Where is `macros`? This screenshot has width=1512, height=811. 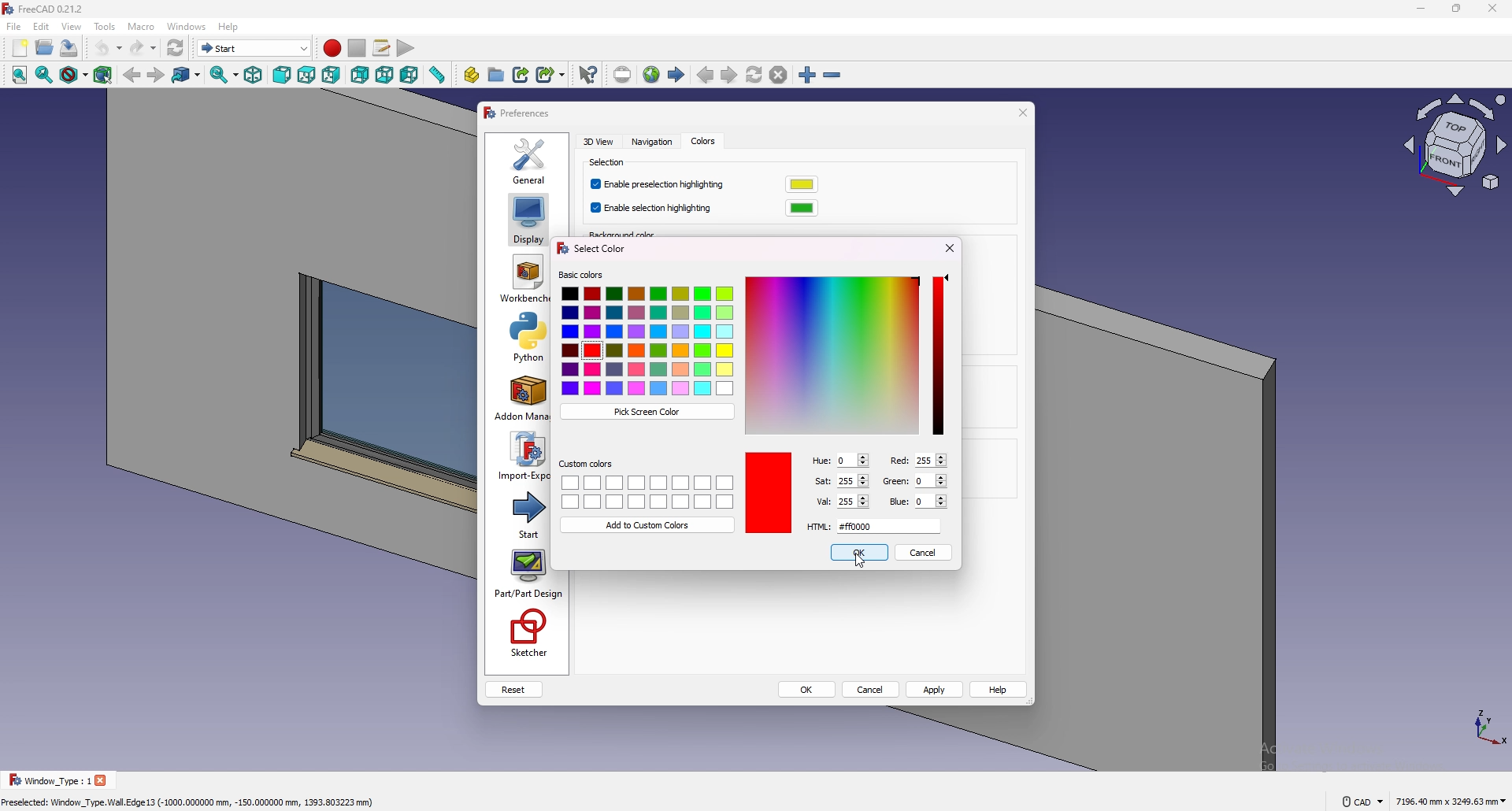 macros is located at coordinates (383, 48).